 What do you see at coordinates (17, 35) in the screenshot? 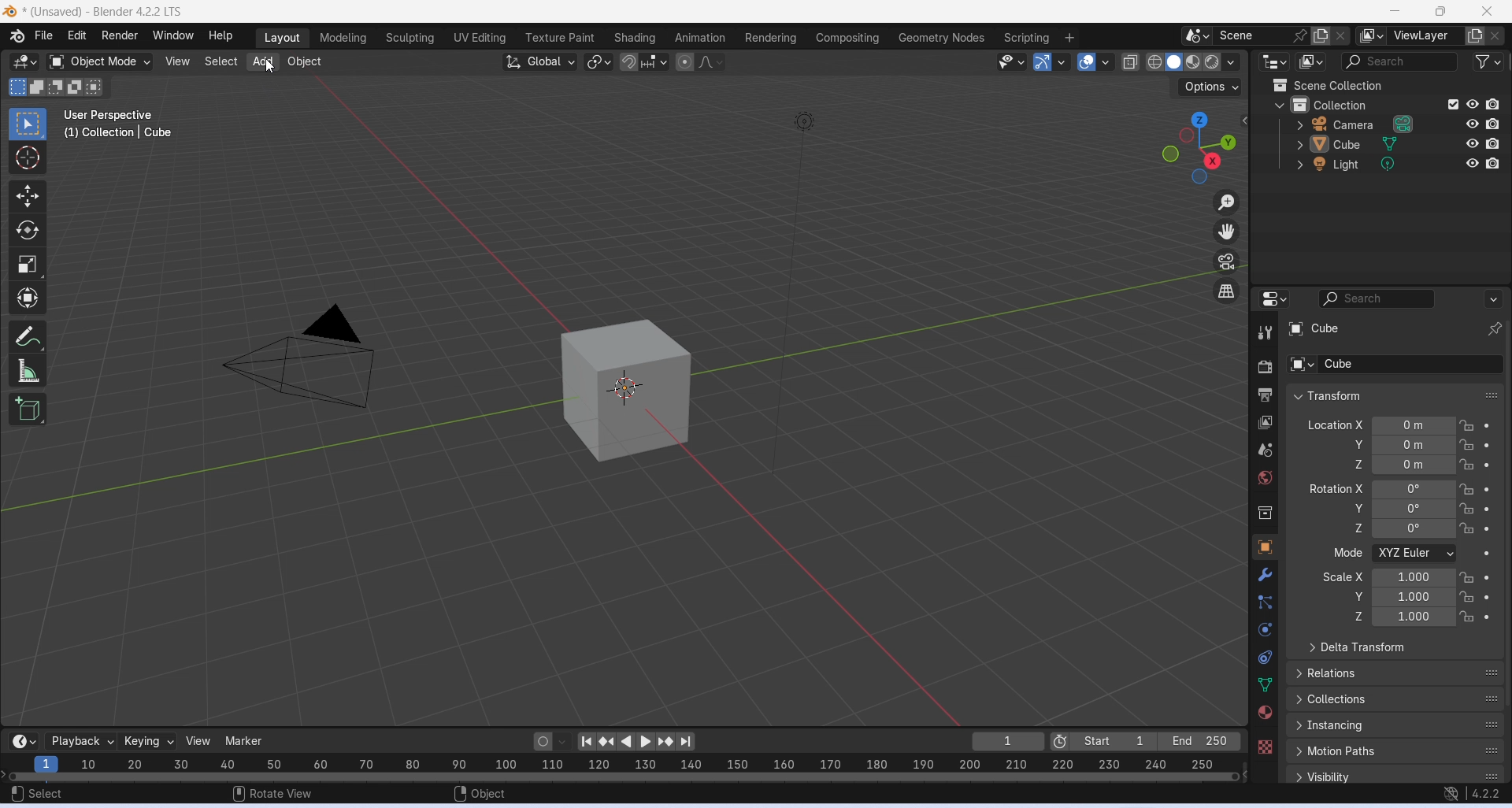
I see `Logo` at bounding box center [17, 35].